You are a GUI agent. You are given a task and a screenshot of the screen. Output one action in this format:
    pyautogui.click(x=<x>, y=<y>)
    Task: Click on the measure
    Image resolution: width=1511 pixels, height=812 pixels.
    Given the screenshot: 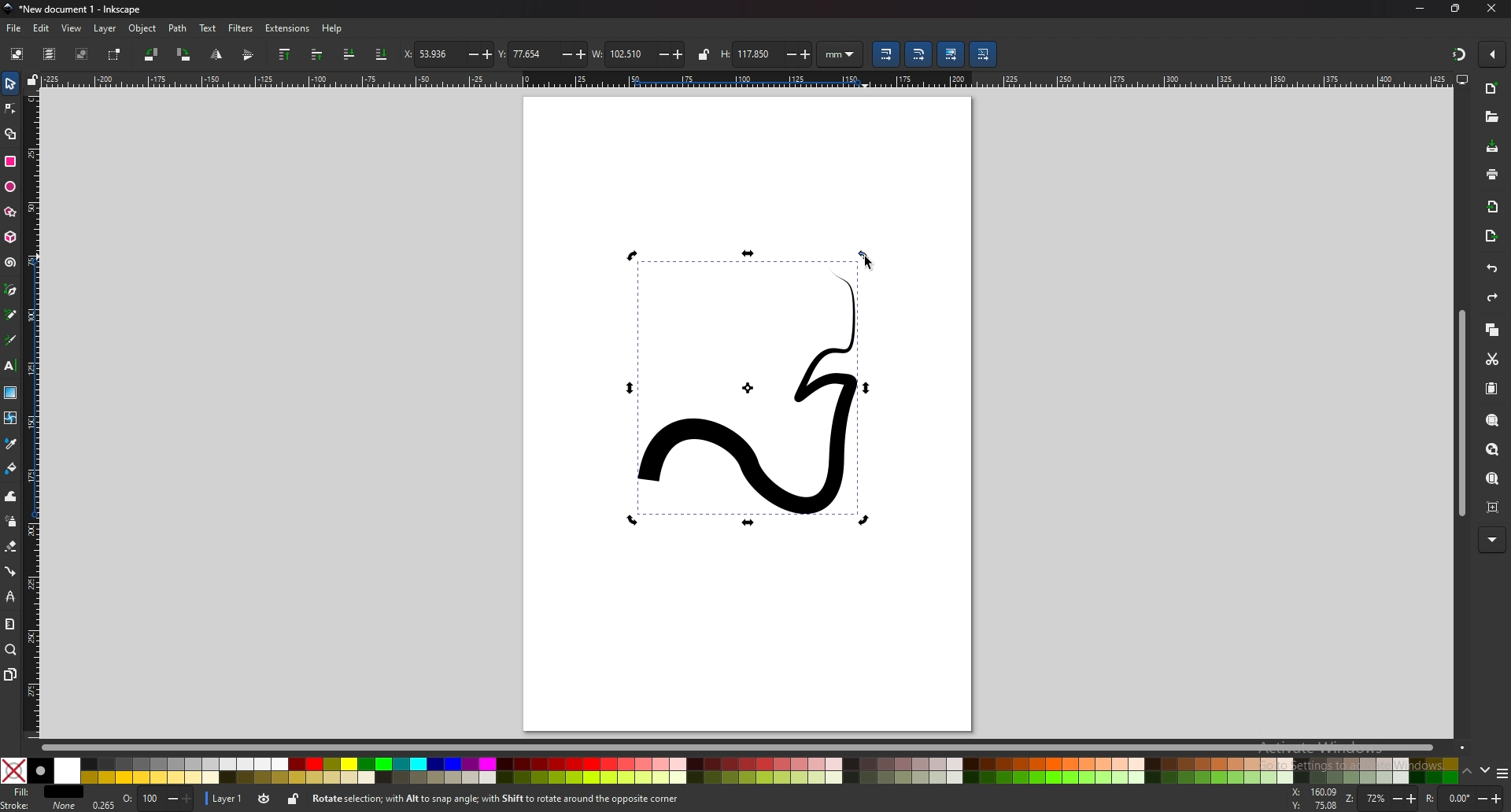 What is the action you would take?
    pyautogui.click(x=9, y=622)
    